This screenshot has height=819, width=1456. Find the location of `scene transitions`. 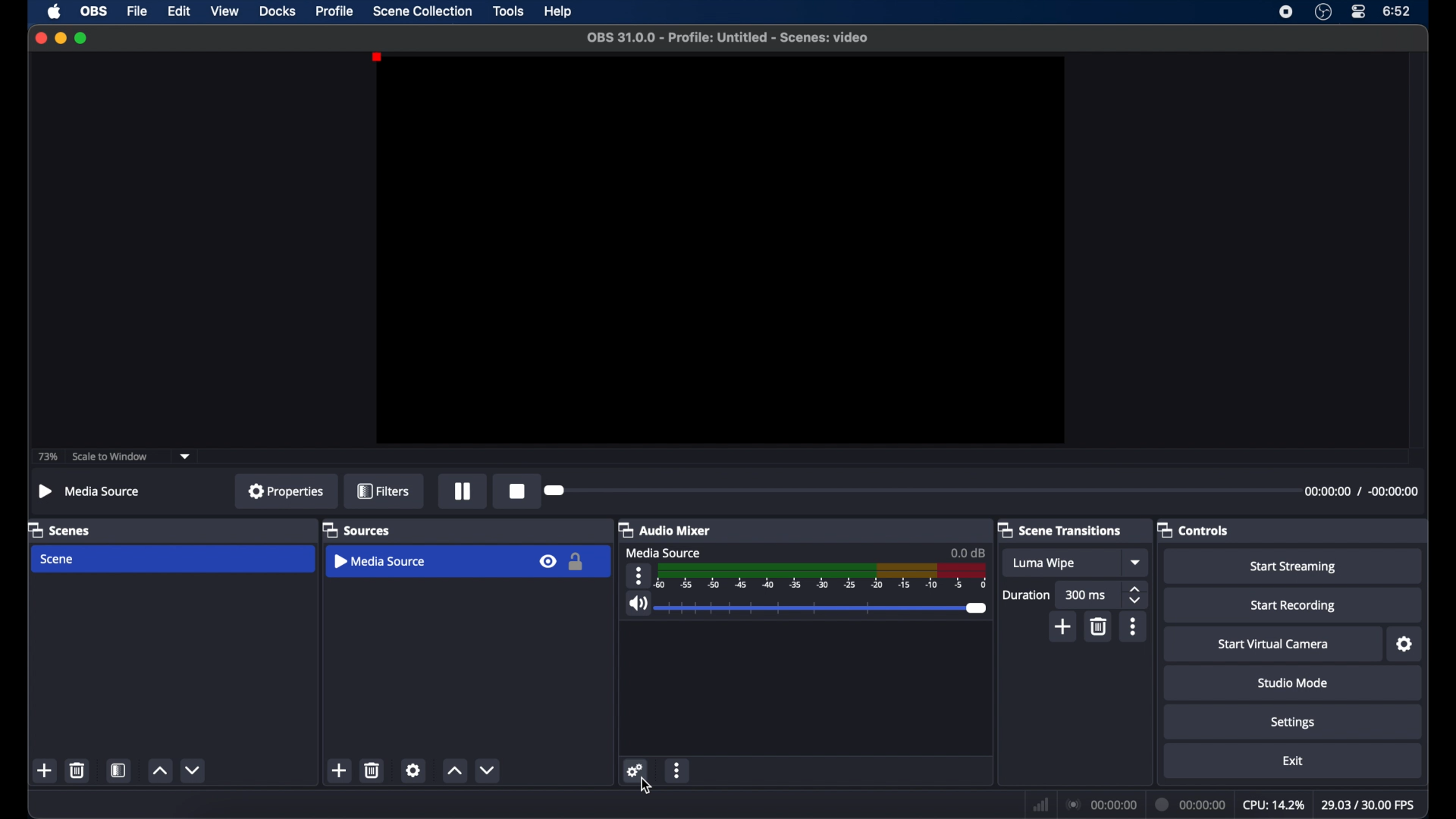

scene transitions is located at coordinates (1059, 529).